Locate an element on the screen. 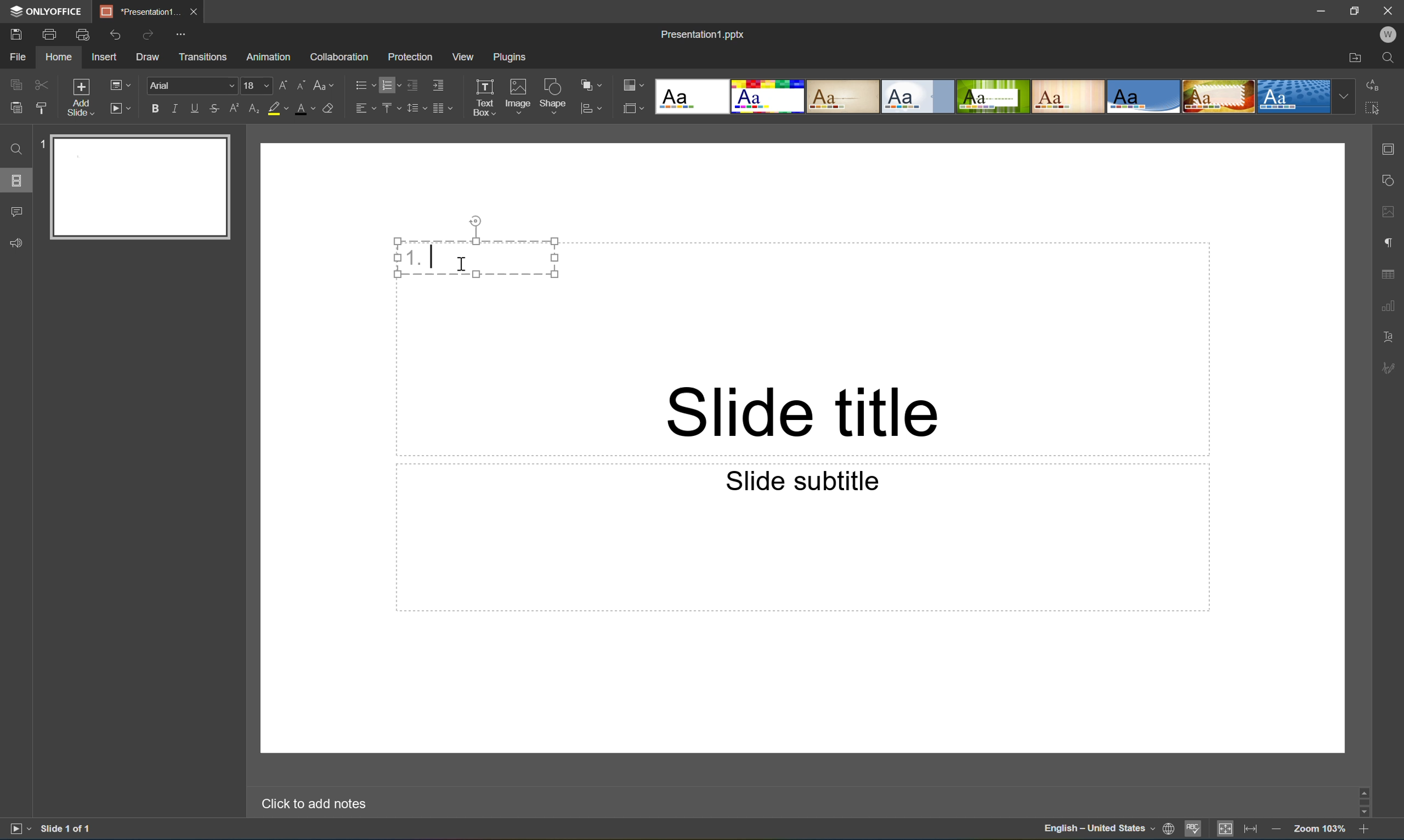 This screenshot has width=1404, height=840. Decrement font size is located at coordinates (302, 84).